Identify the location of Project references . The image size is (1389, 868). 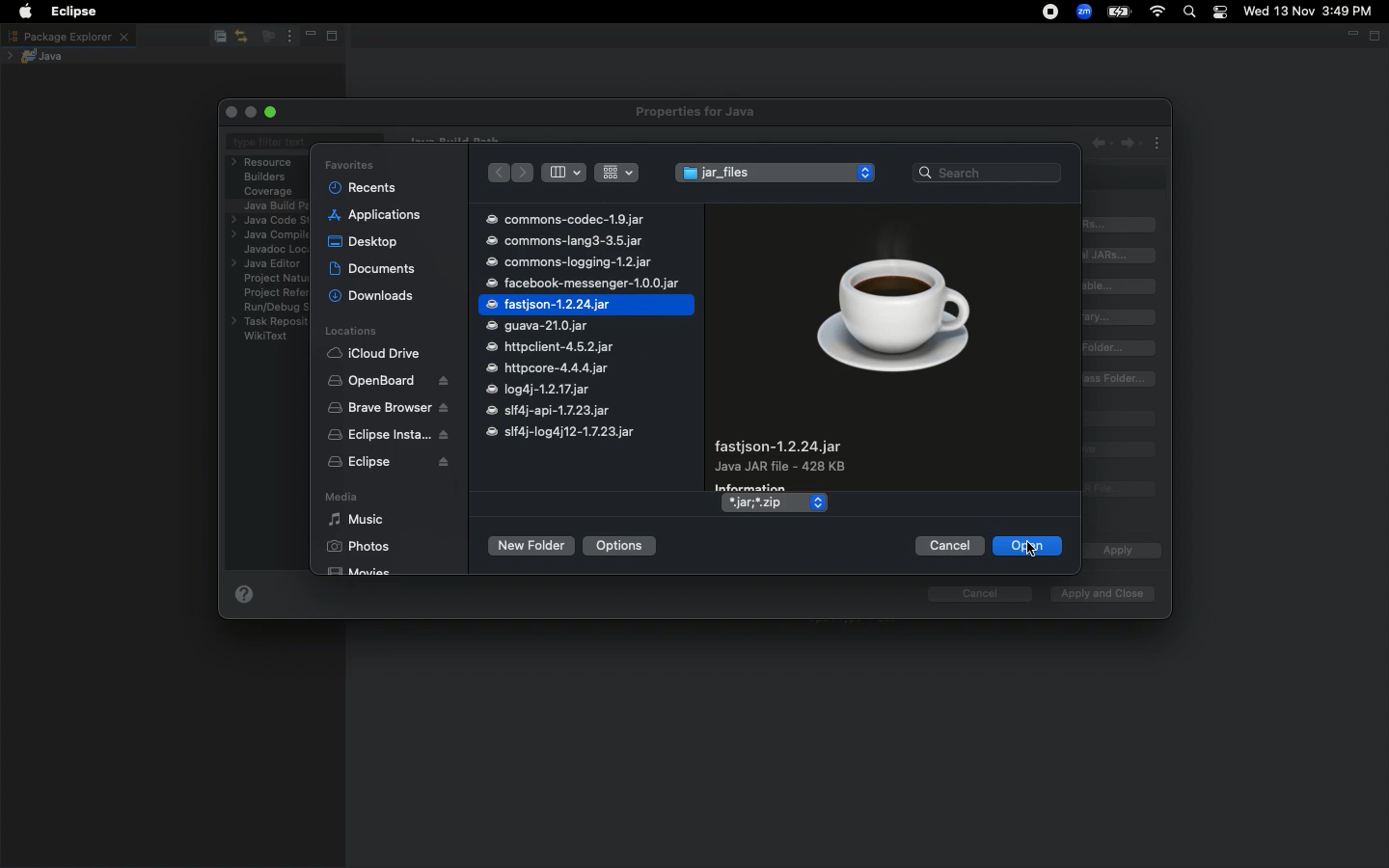
(274, 292).